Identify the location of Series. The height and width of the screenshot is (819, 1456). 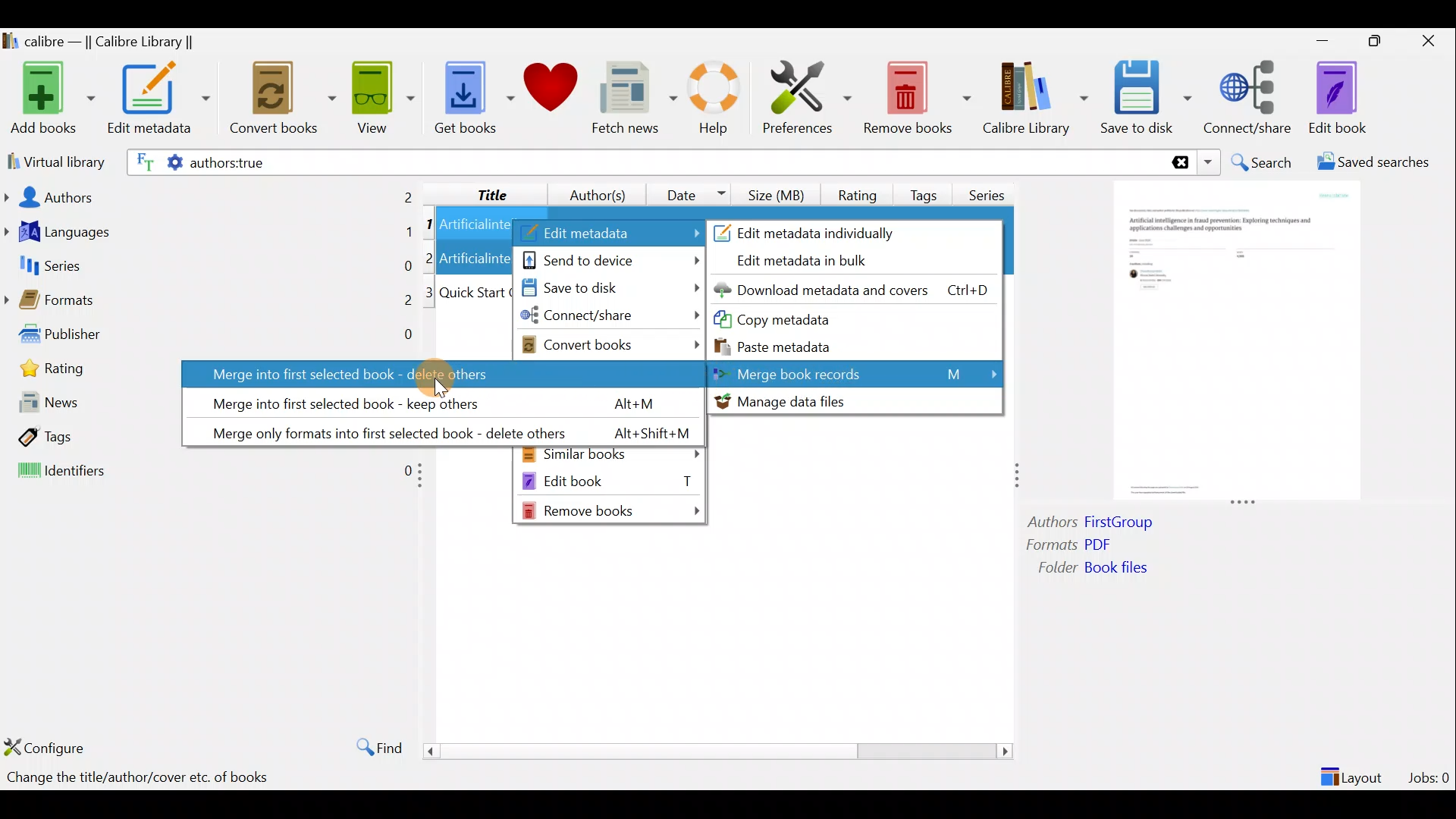
(992, 190).